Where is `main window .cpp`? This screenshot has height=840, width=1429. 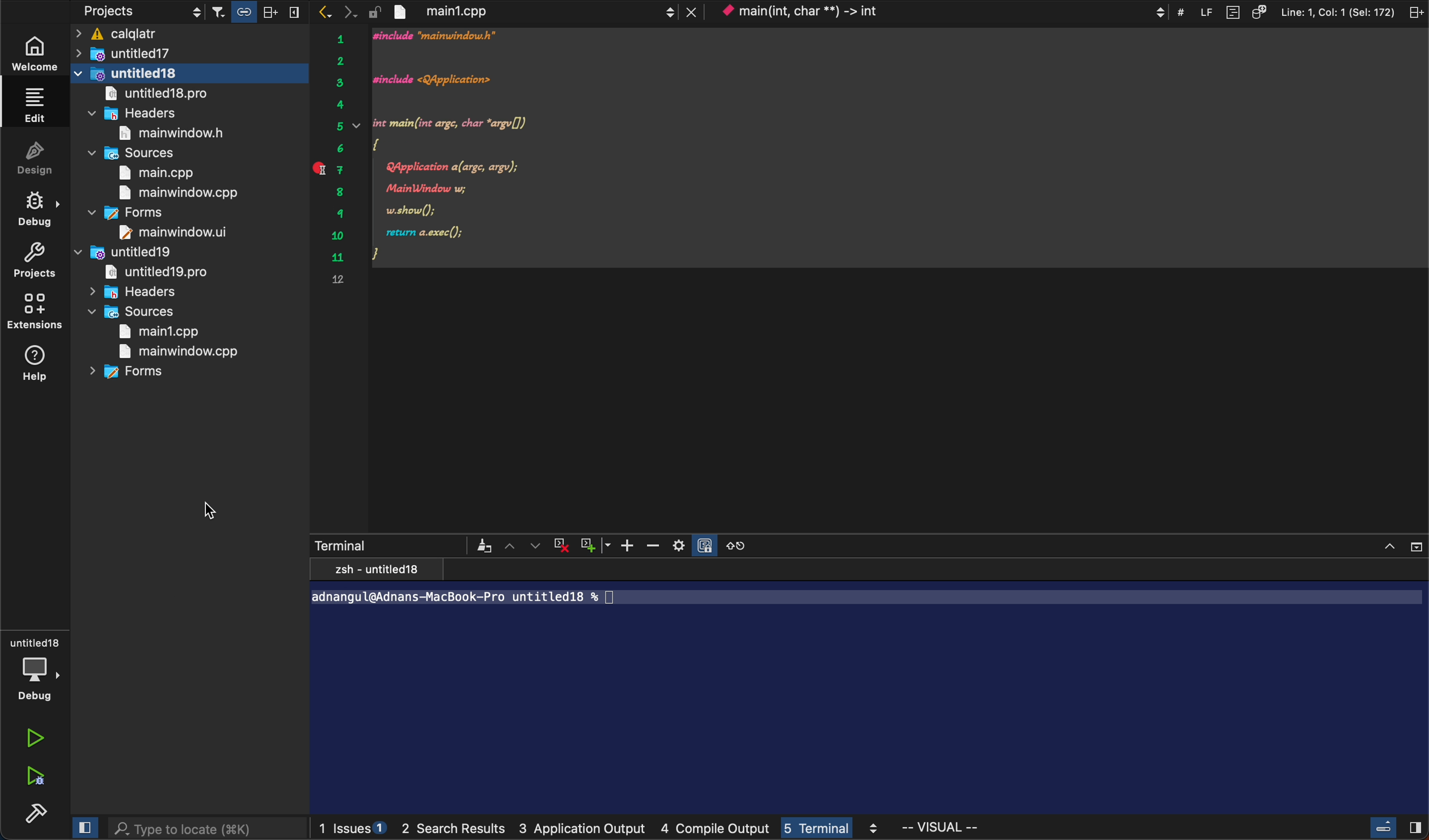 main window .cpp is located at coordinates (177, 353).